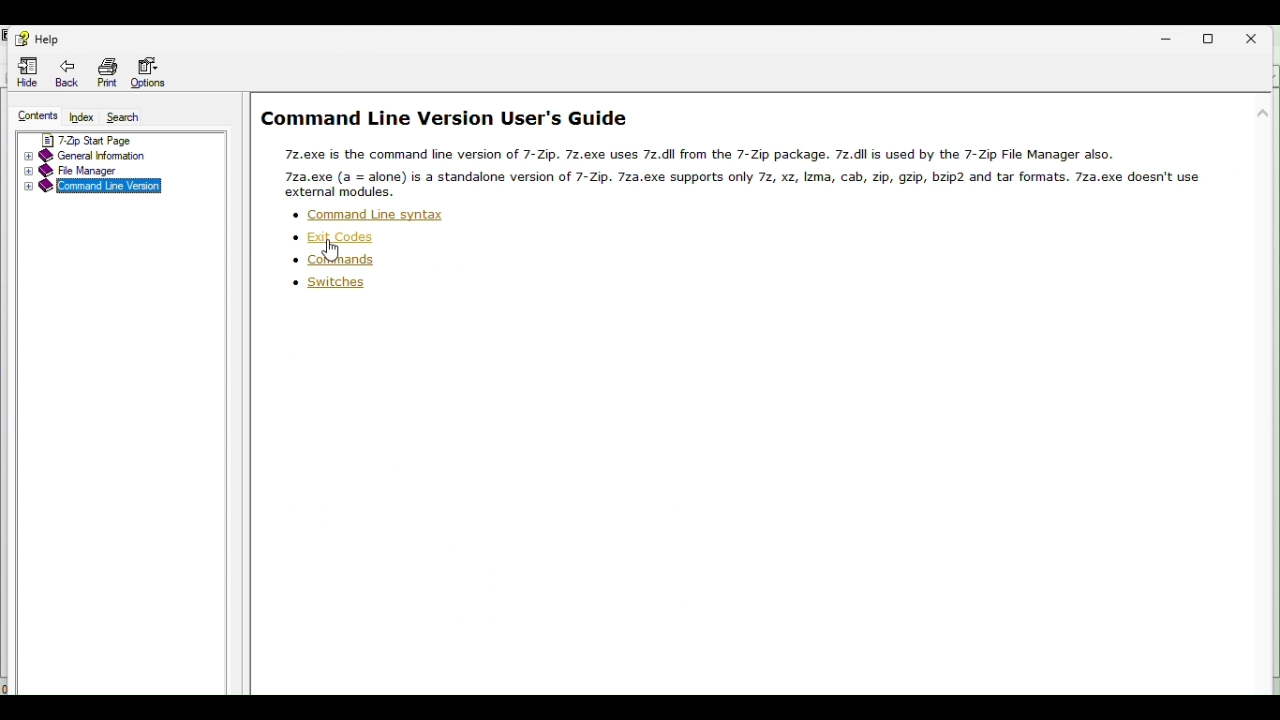 The image size is (1280, 720). I want to click on Commands, so click(339, 263).